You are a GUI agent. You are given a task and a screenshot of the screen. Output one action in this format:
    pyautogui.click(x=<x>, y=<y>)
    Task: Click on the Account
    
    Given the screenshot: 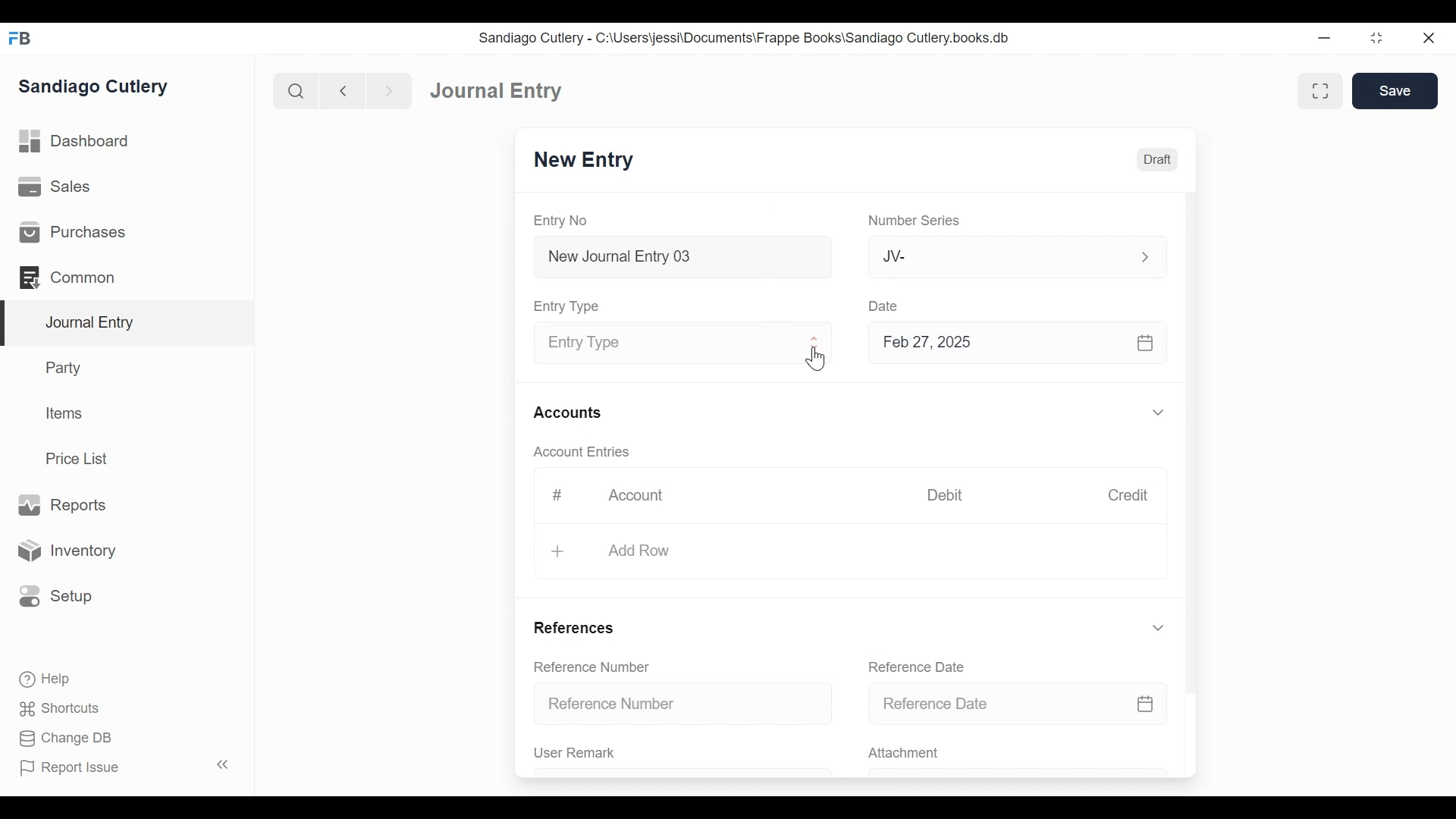 What is the action you would take?
    pyautogui.click(x=639, y=496)
    